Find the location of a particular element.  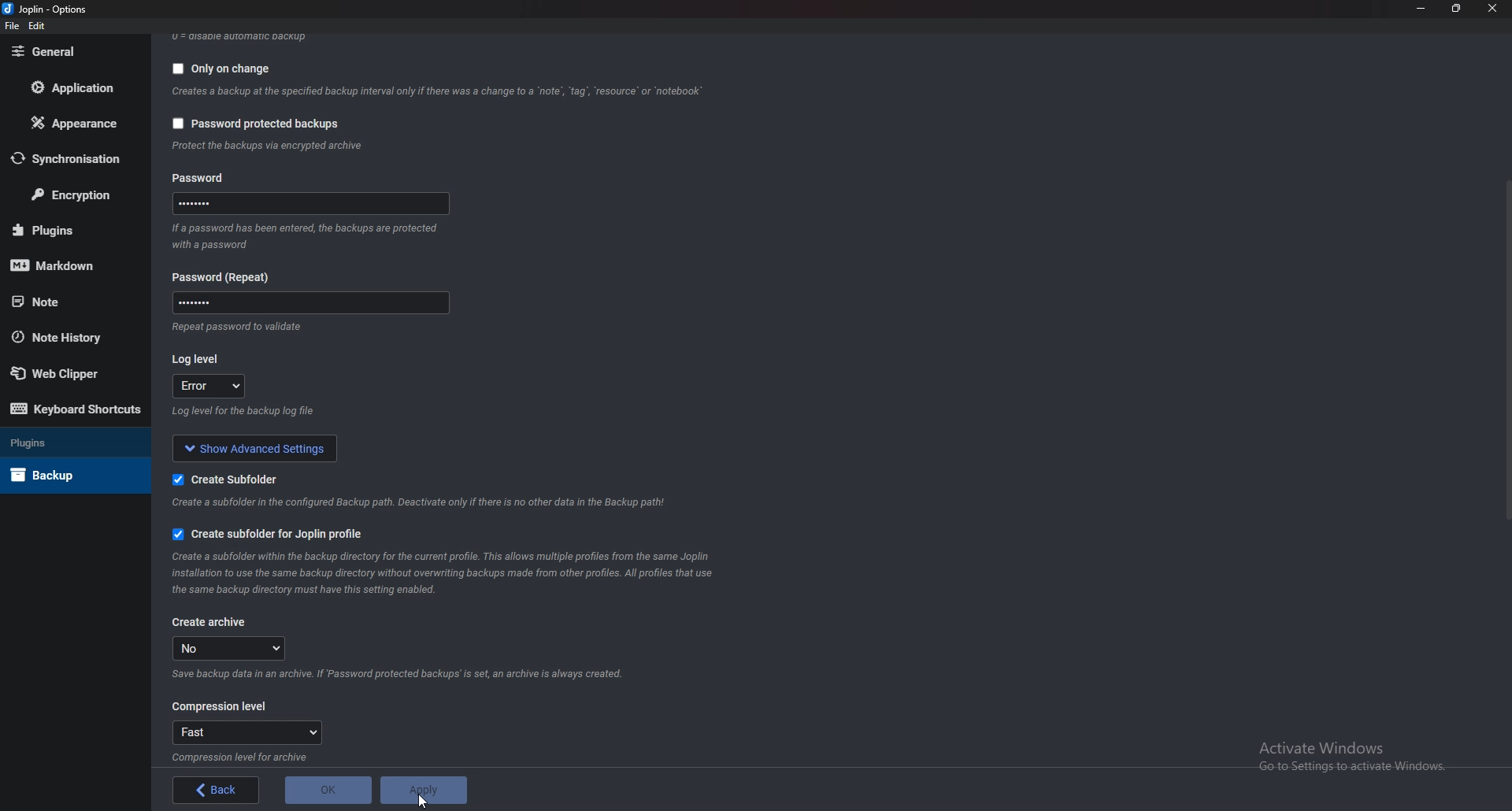

Create sub folder is located at coordinates (230, 480).